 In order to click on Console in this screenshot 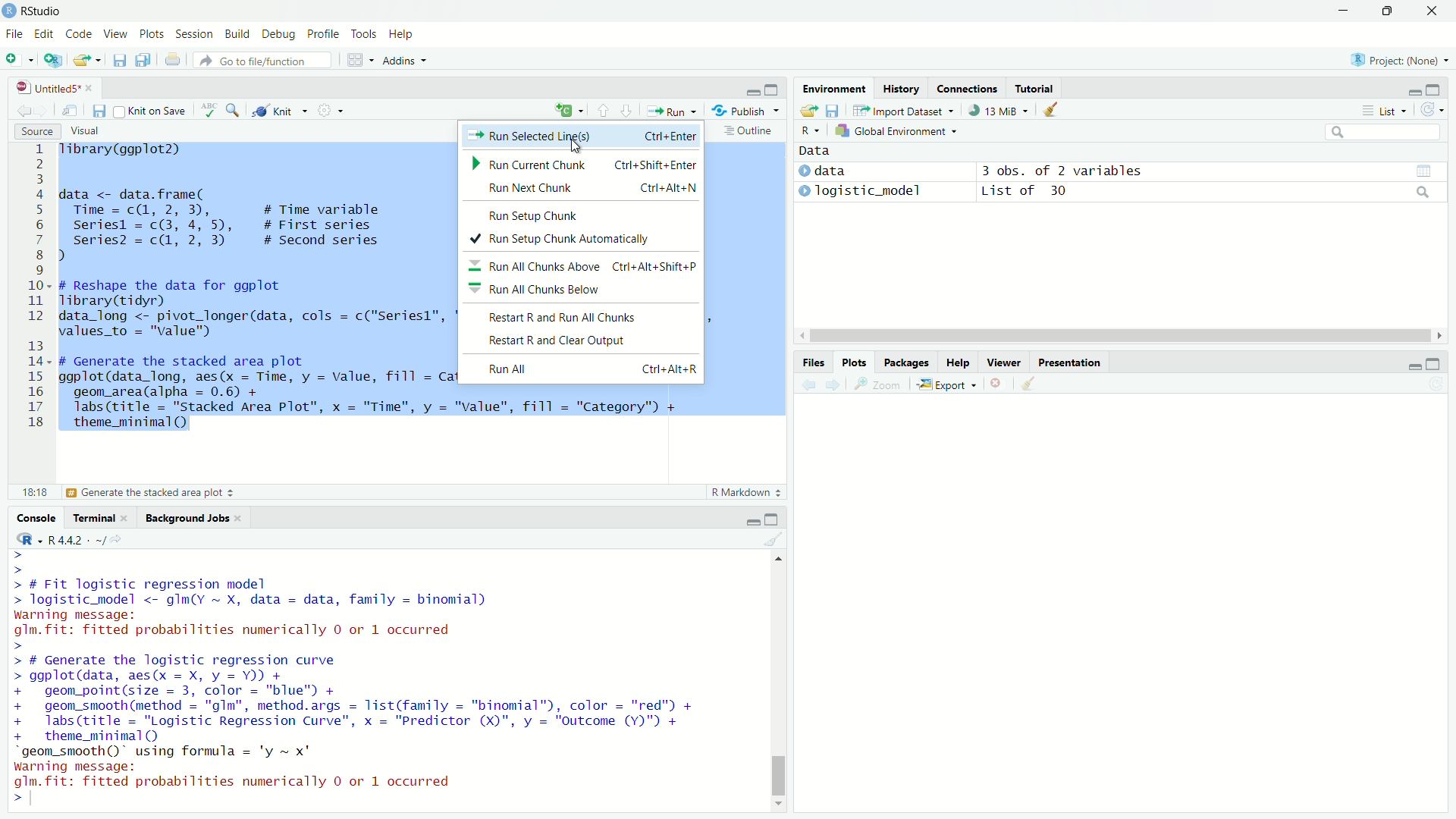, I will do `click(39, 516)`.